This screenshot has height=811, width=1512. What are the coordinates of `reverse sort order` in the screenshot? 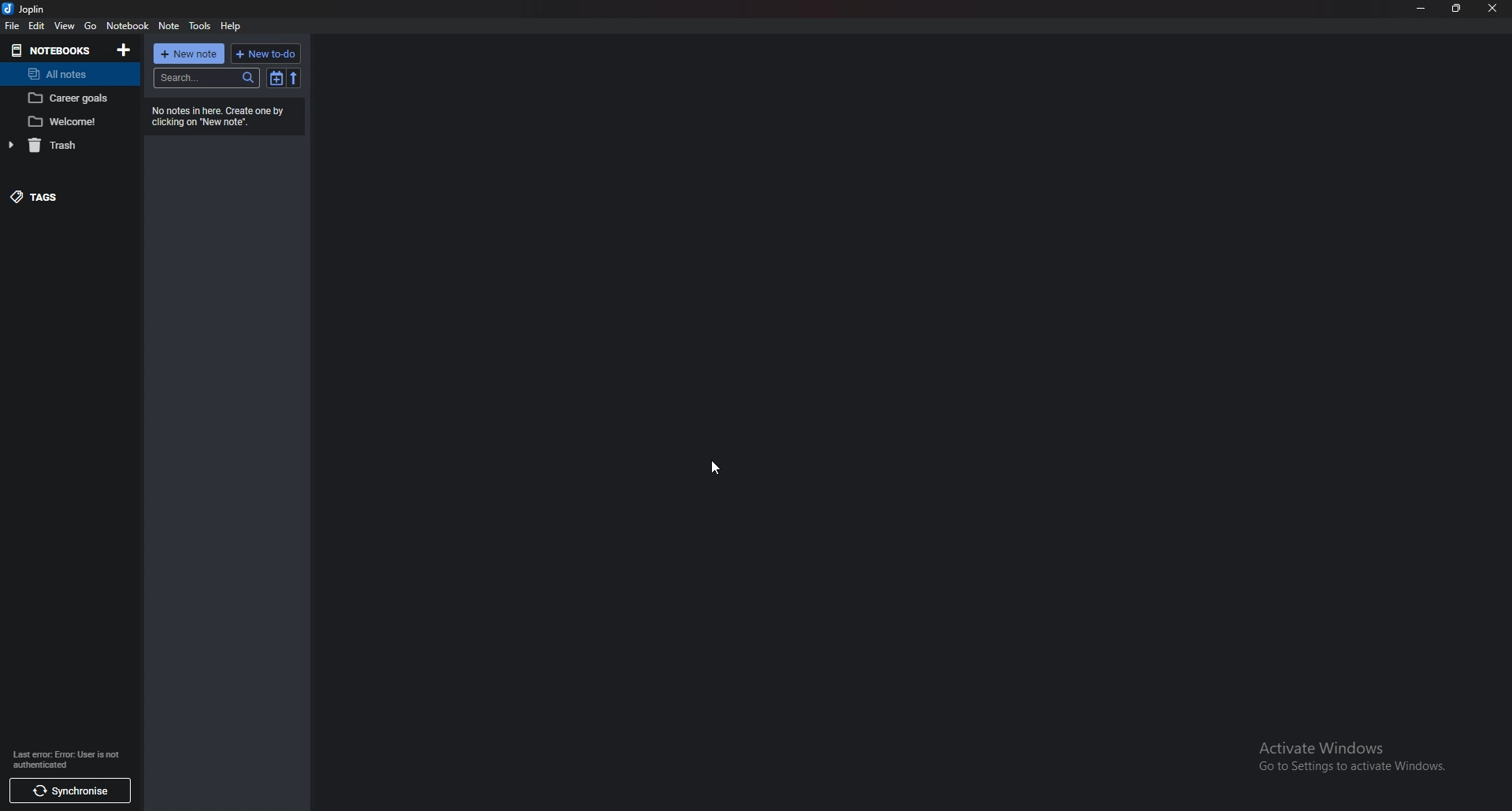 It's located at (294, 78).